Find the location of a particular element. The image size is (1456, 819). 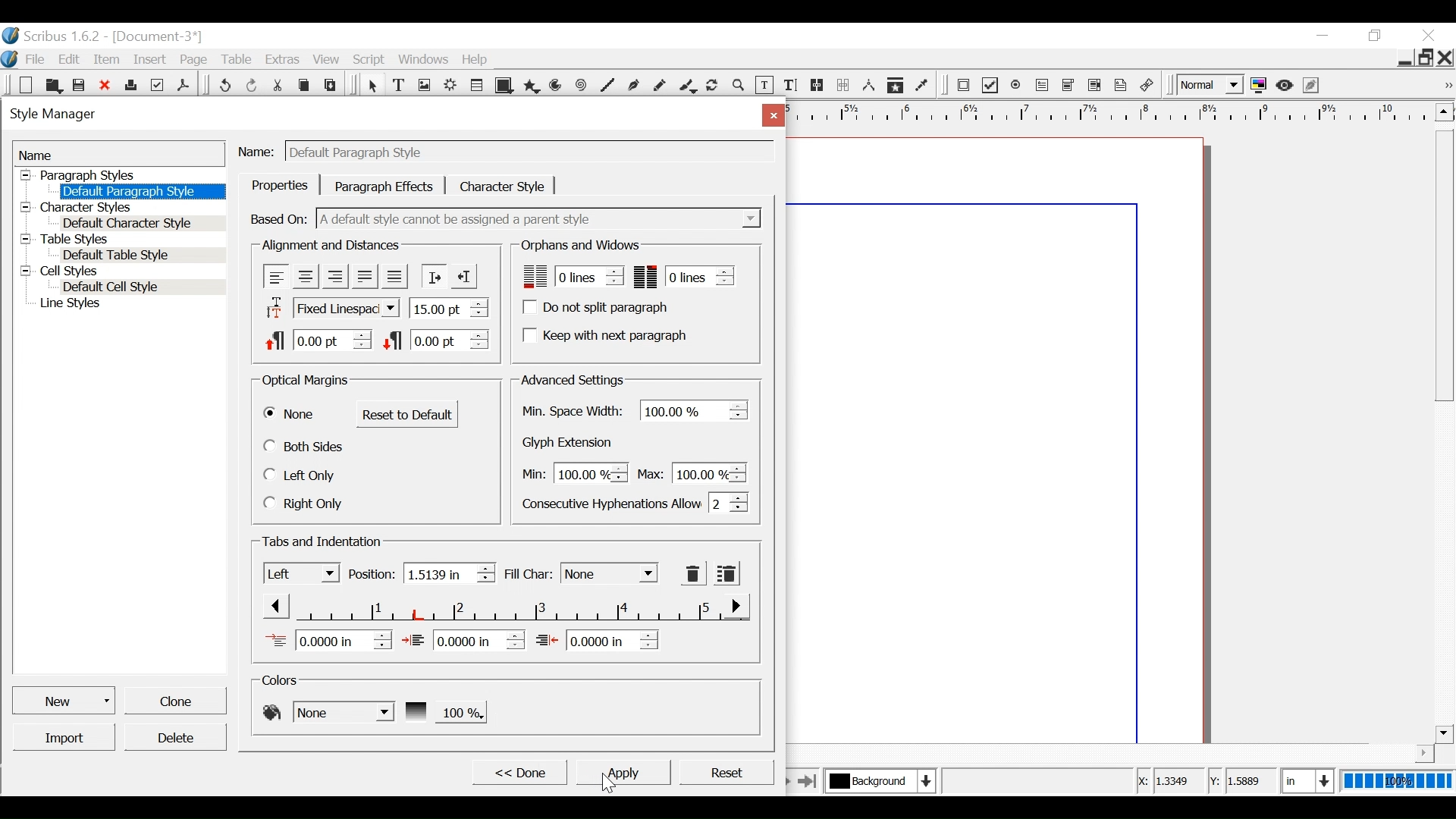

Clone is located at coordinates (174, 699).